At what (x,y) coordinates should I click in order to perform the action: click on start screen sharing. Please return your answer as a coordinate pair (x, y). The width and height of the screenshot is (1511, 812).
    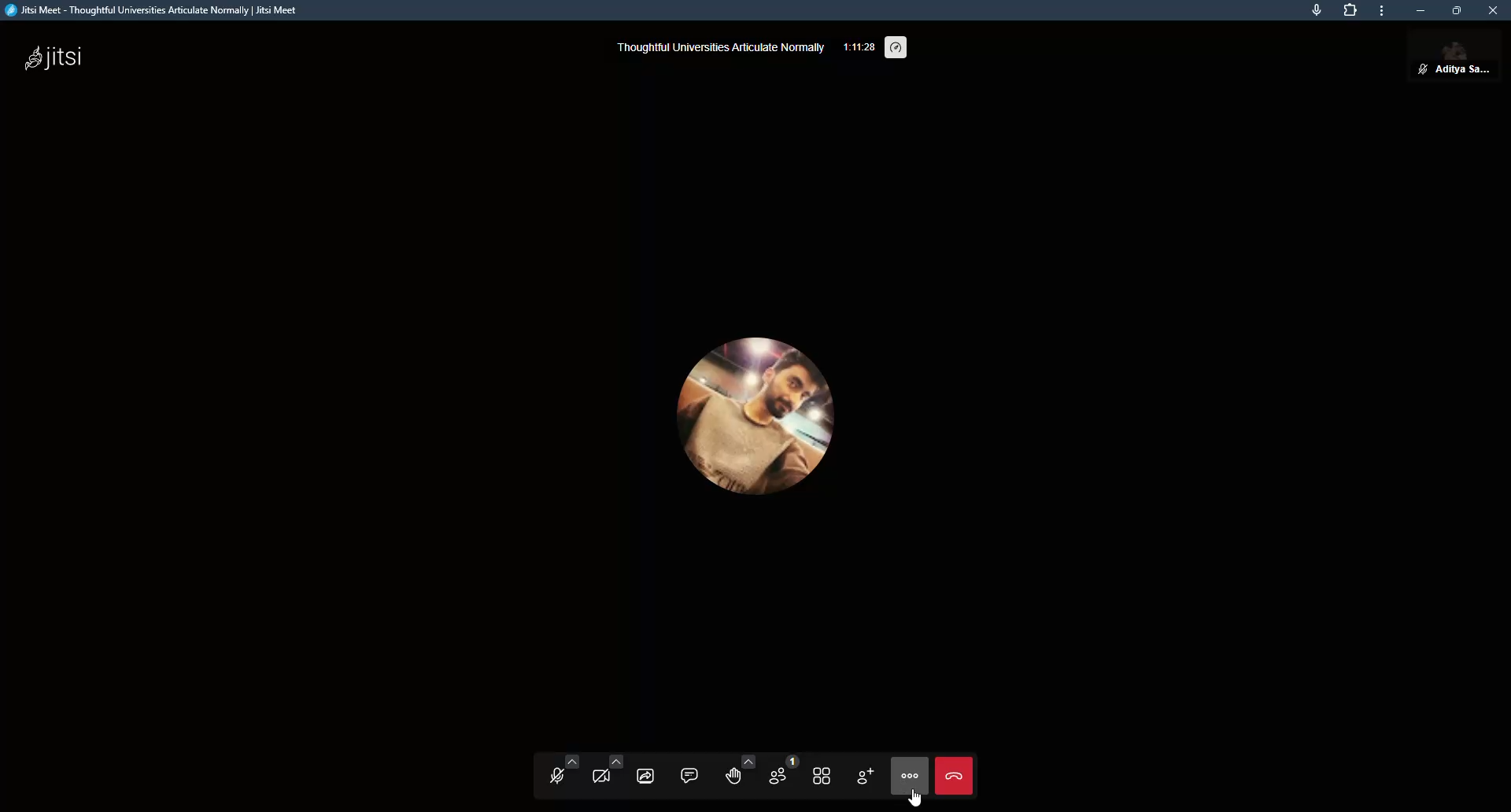
    Looking at the image, I should click on (647, 775).